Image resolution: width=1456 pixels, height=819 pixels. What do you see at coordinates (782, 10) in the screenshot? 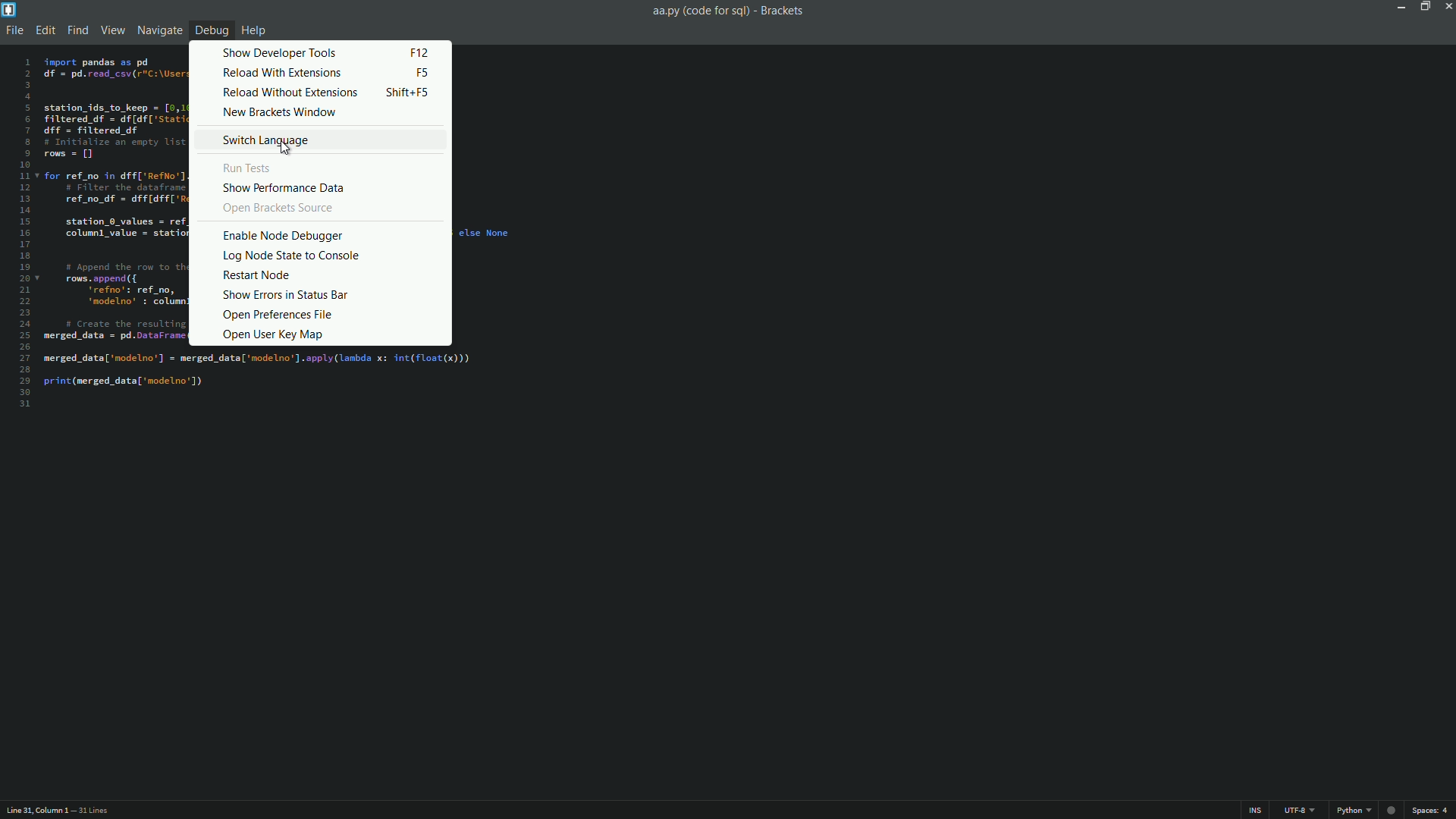
I see `app name` at bounding box center [782, 10].